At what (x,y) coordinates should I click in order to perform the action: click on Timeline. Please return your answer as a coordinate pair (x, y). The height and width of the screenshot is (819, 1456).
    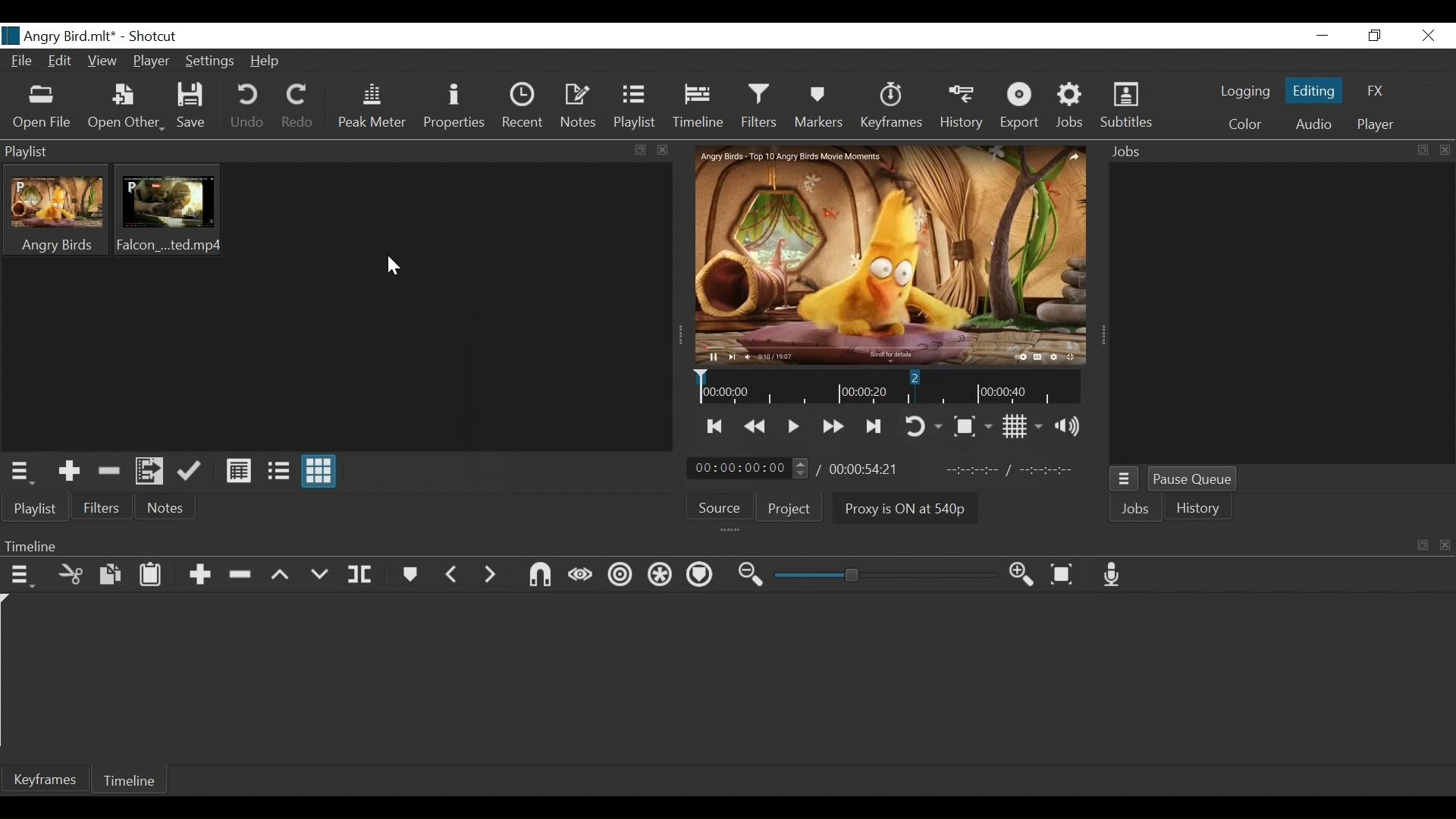
    Looking at the image, I should click on (131, 780).